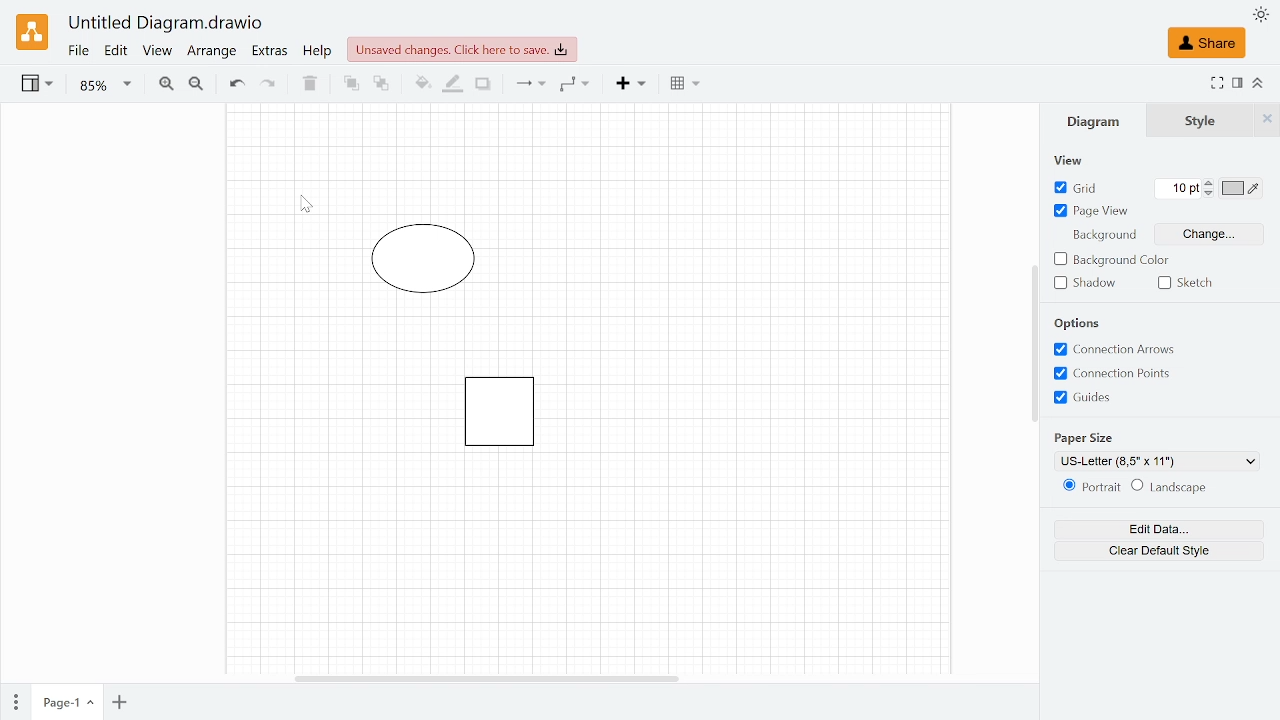 Image resolution: width=1280 pixels, height=720 pixels. I want to click on Edit data, so click(1159, 529).